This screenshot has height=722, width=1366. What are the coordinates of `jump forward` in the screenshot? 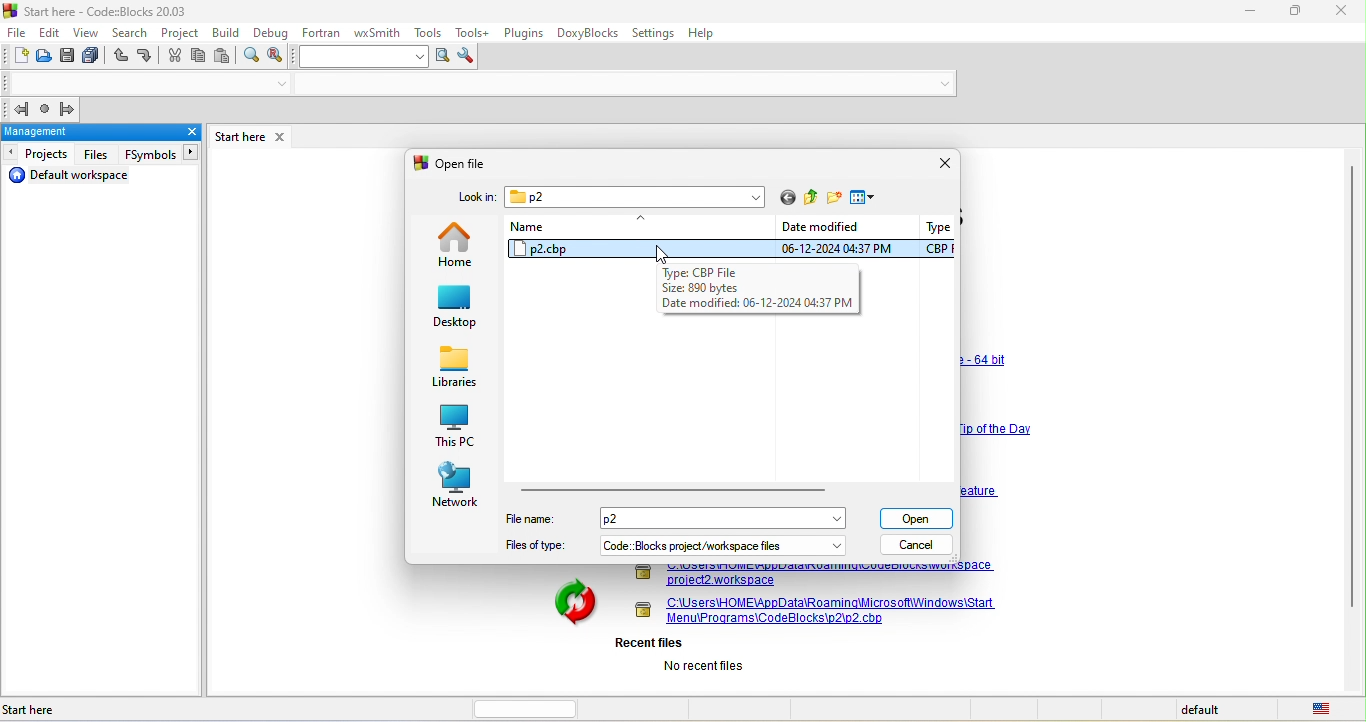 It's located at (71, 107).